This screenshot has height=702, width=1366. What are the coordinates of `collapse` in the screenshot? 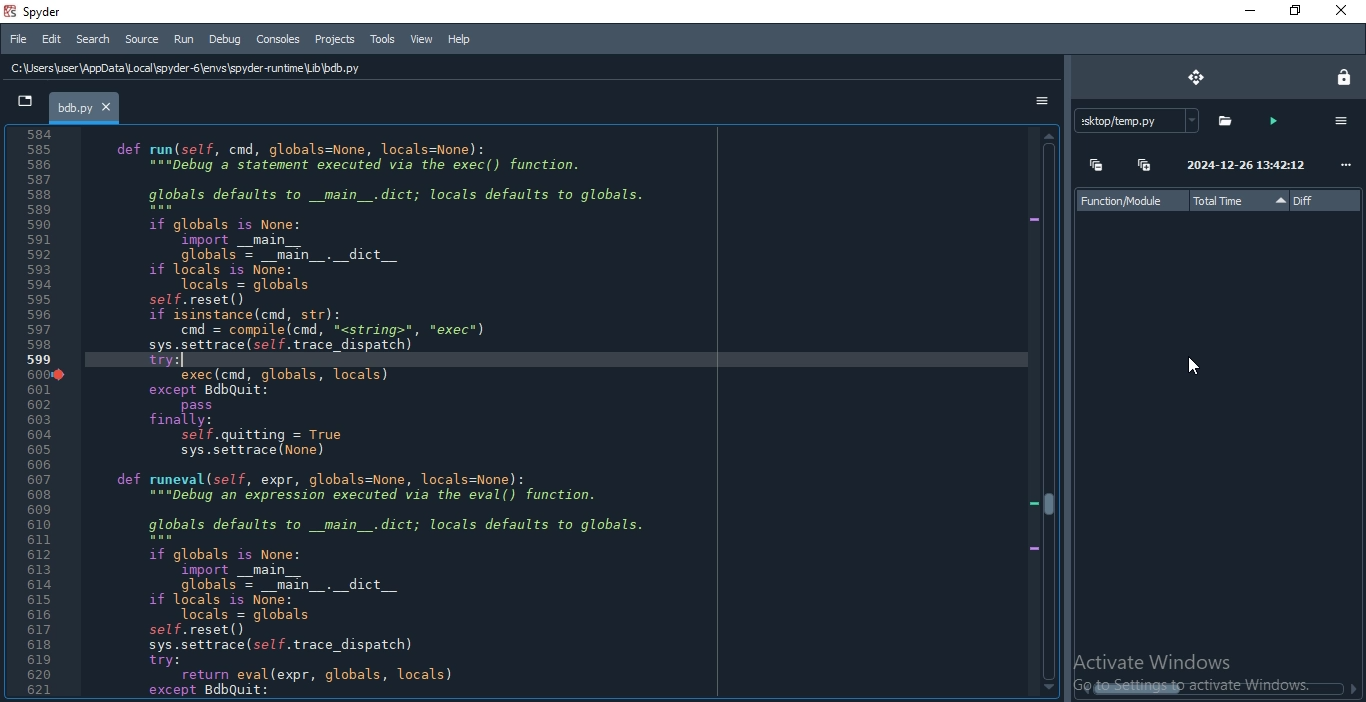 It's located at (1099, 166).